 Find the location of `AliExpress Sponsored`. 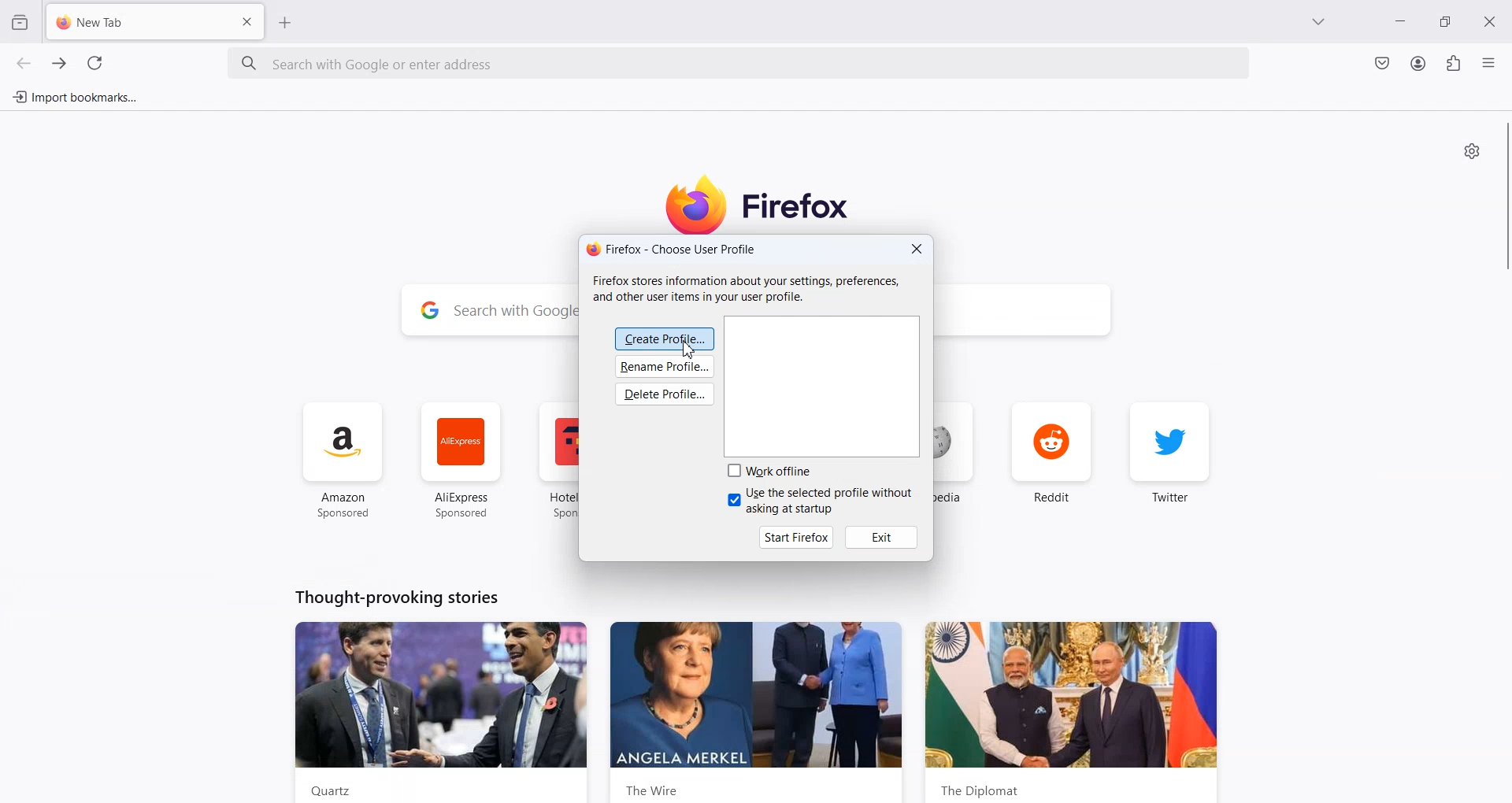

AliExpress Sponsored is located at coordinates (461, 461).